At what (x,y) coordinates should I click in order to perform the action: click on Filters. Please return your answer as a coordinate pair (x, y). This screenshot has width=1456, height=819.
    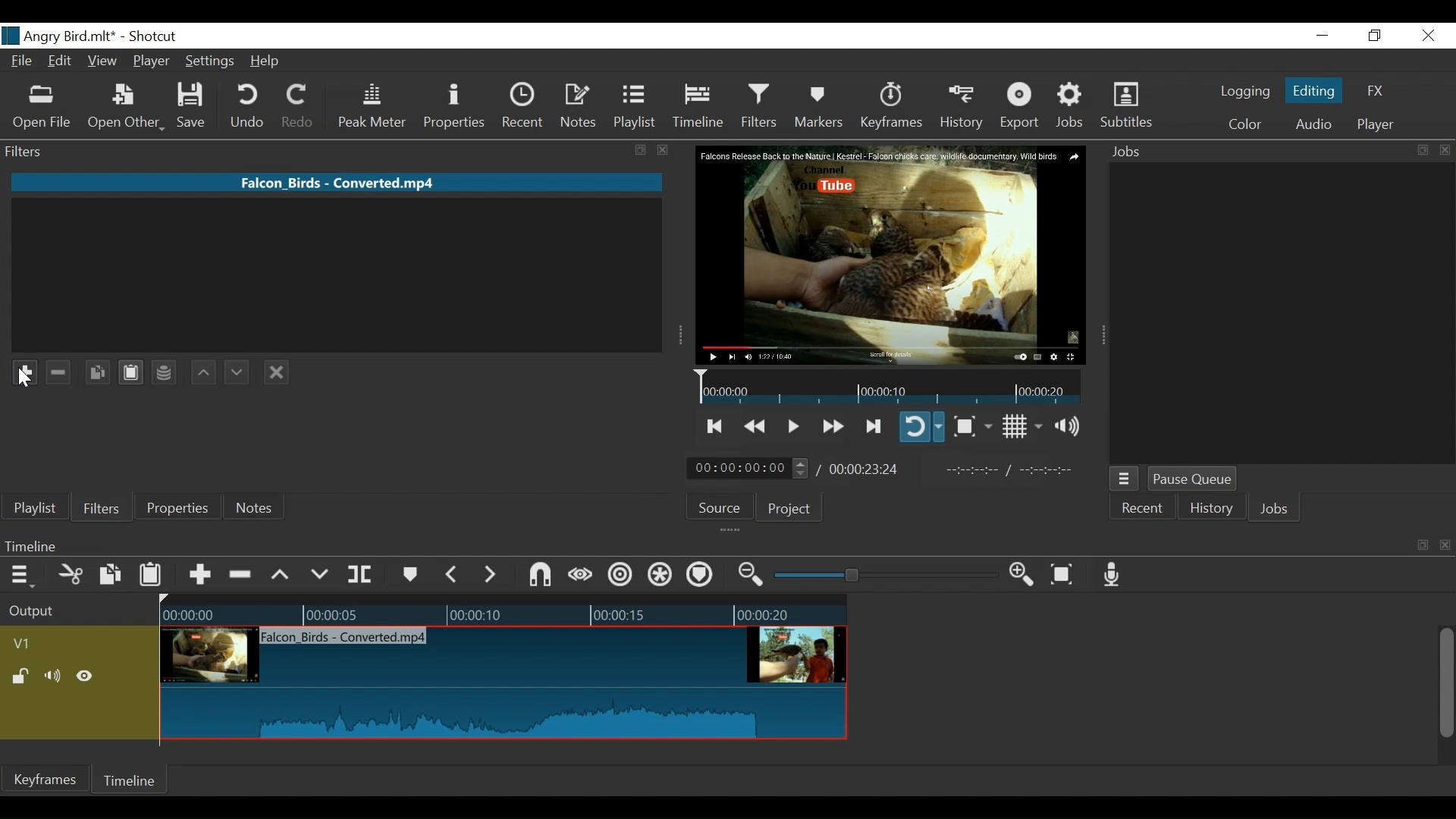
    Looking at the image, I should click on (761, 105).